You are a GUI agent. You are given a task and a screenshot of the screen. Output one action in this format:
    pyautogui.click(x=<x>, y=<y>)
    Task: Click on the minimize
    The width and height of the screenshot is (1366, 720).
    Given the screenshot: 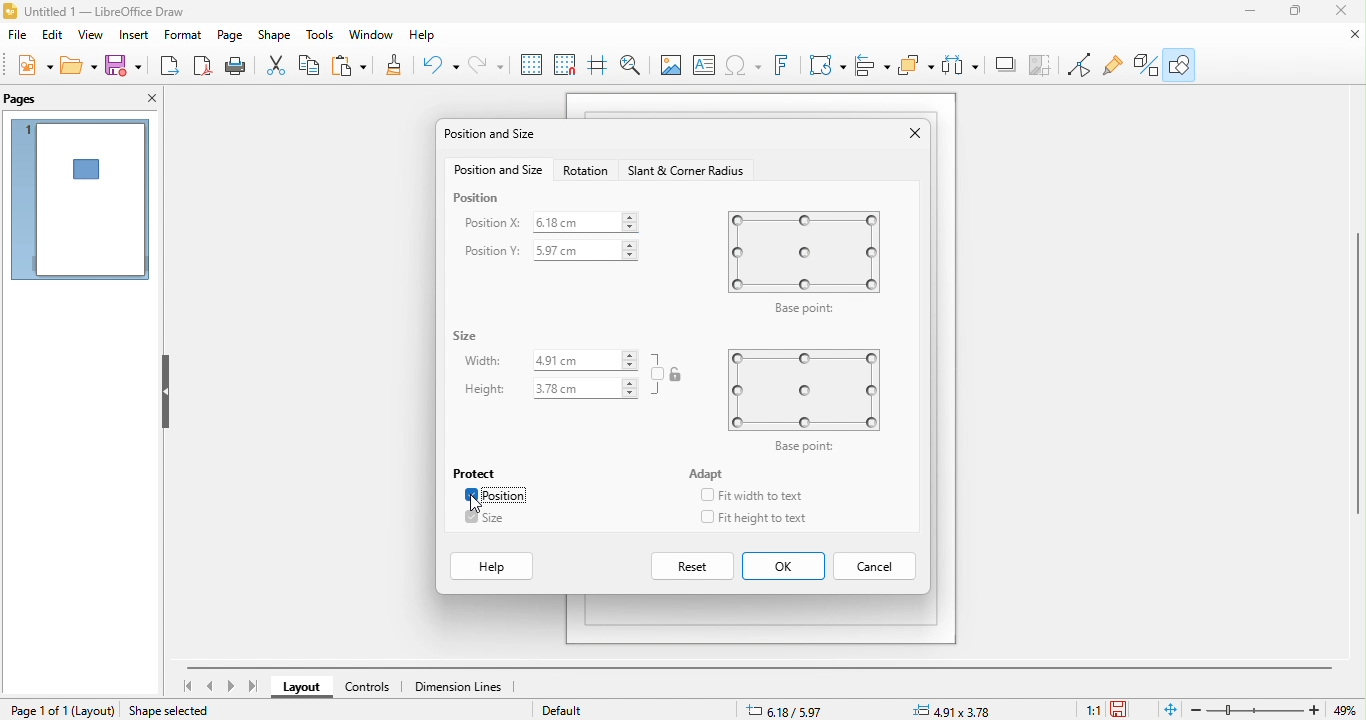 What is the action you would take?
    pyautogui.click(x=1348, y=34)
    